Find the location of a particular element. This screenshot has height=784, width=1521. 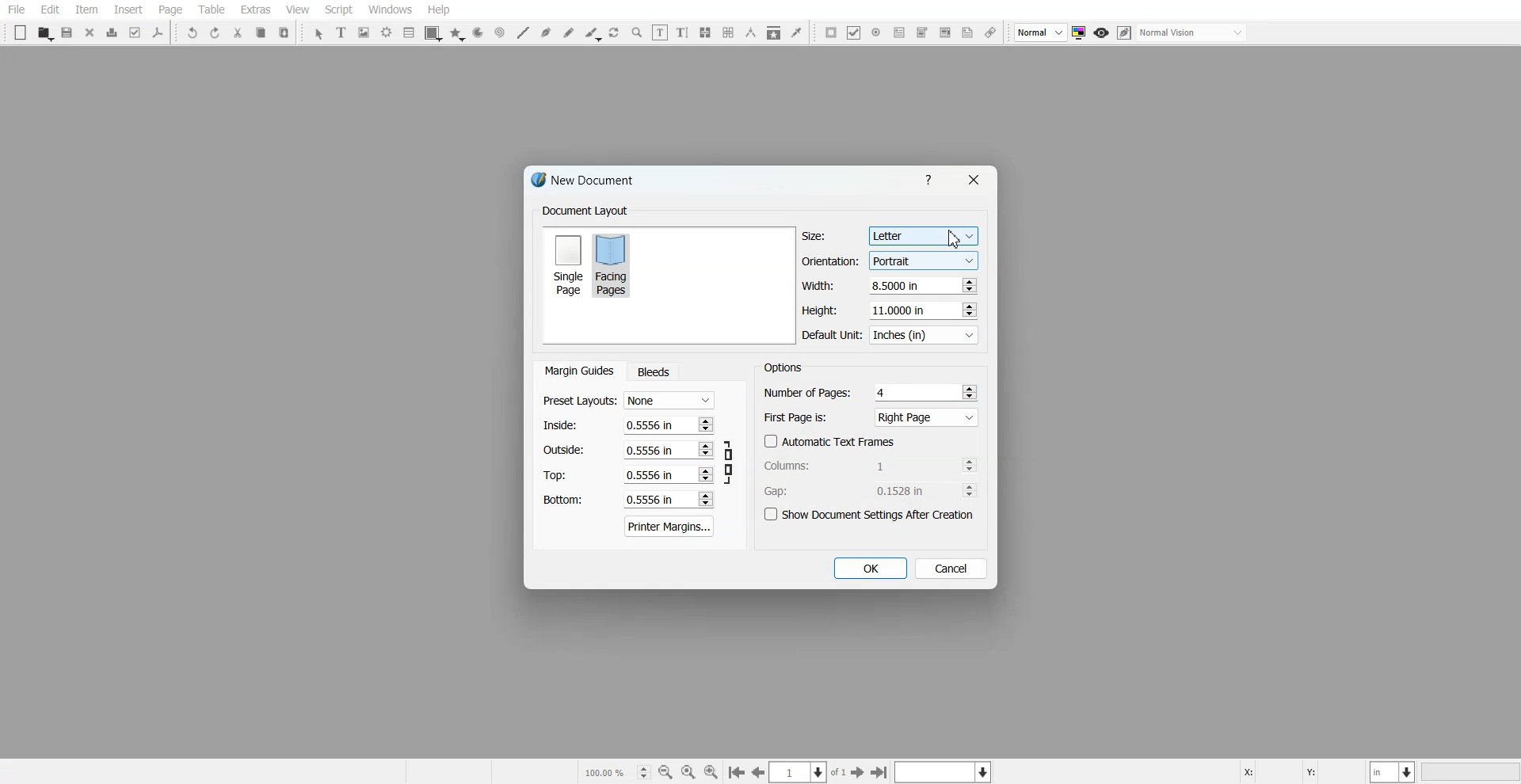

8.5000 in is located at coordinates (898, 285).